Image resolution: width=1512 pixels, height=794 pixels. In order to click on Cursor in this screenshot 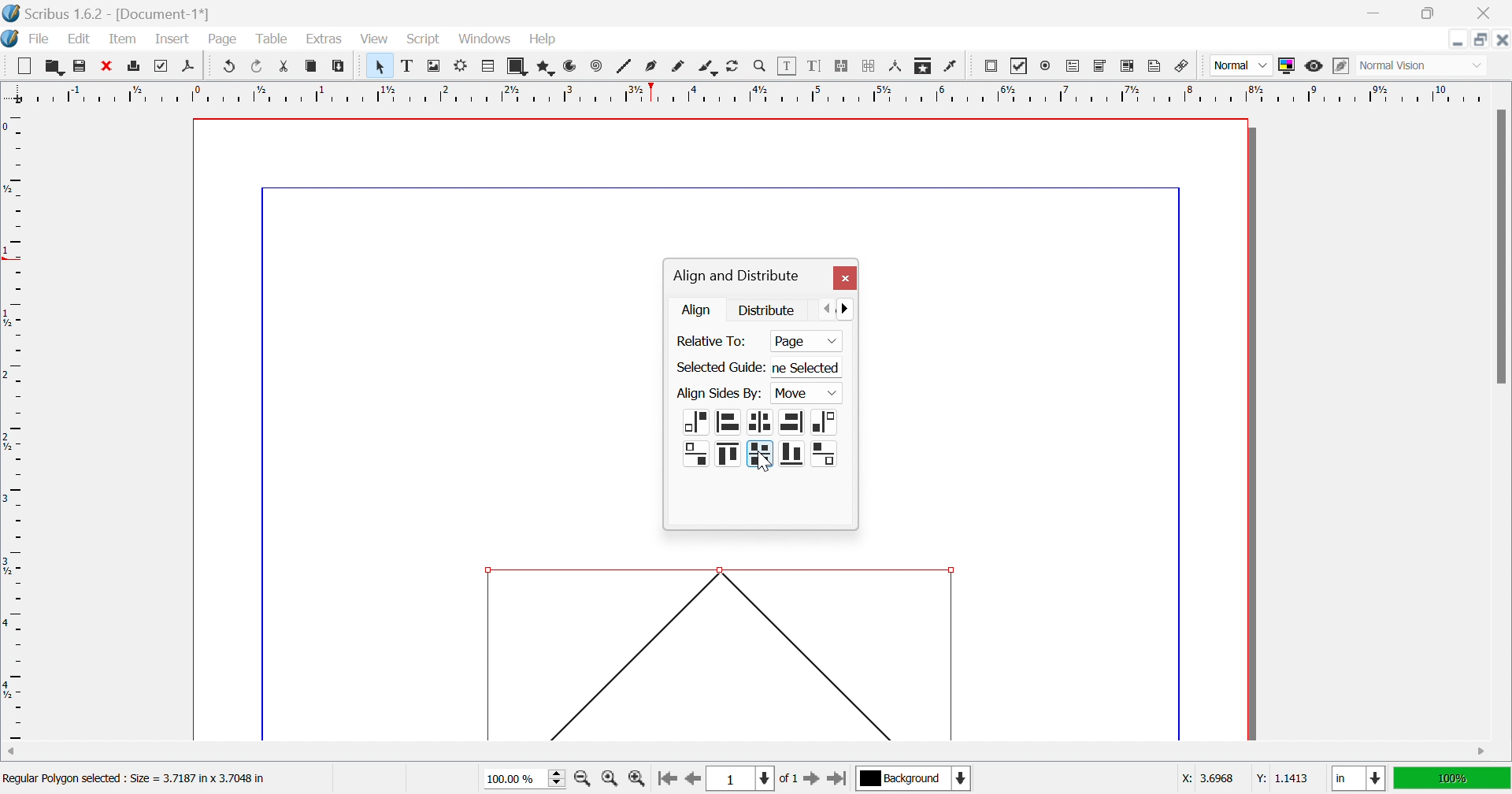, I will do `click(763, 462)`.